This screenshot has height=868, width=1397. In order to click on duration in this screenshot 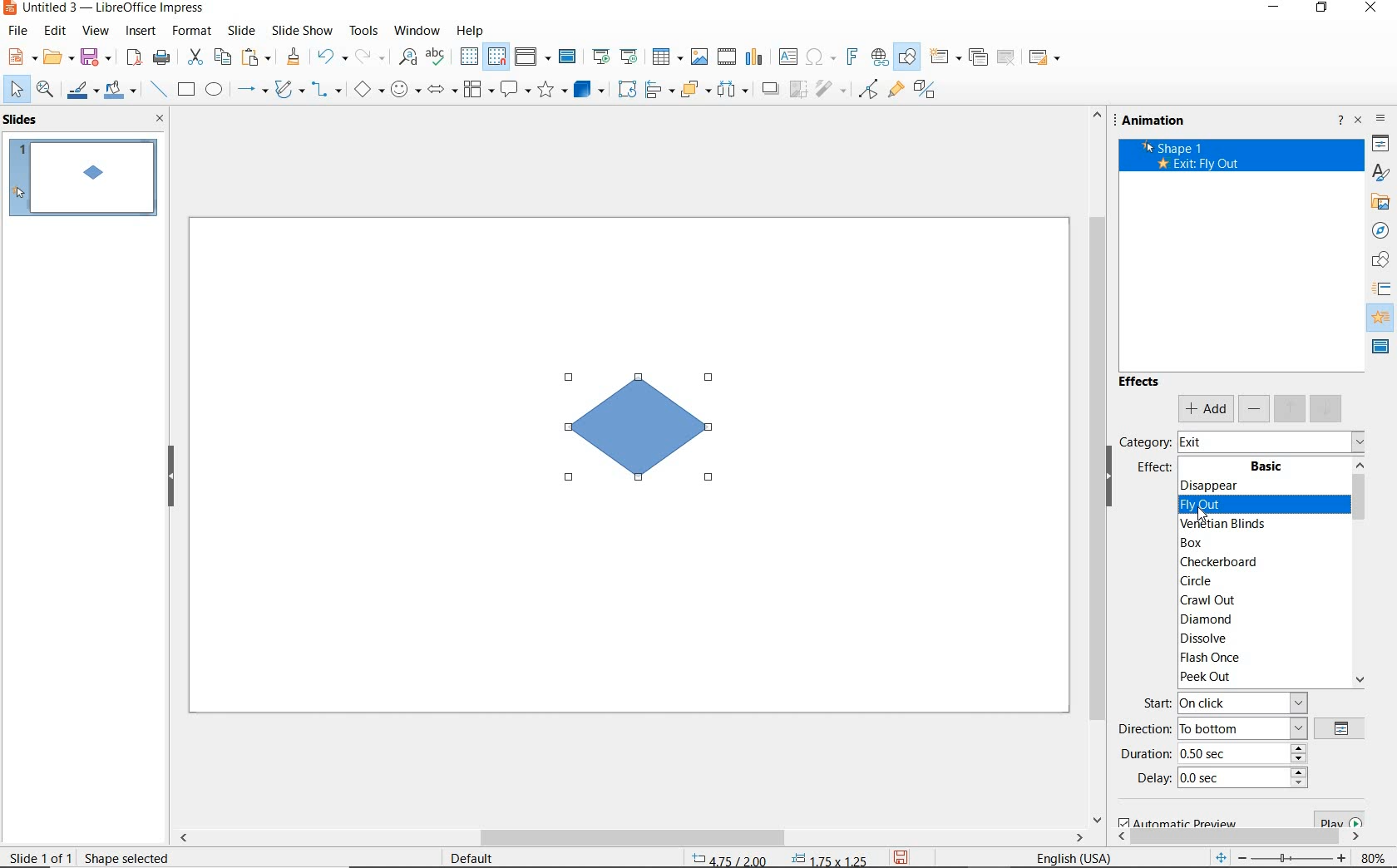, I will do `click(1215, 754)`.